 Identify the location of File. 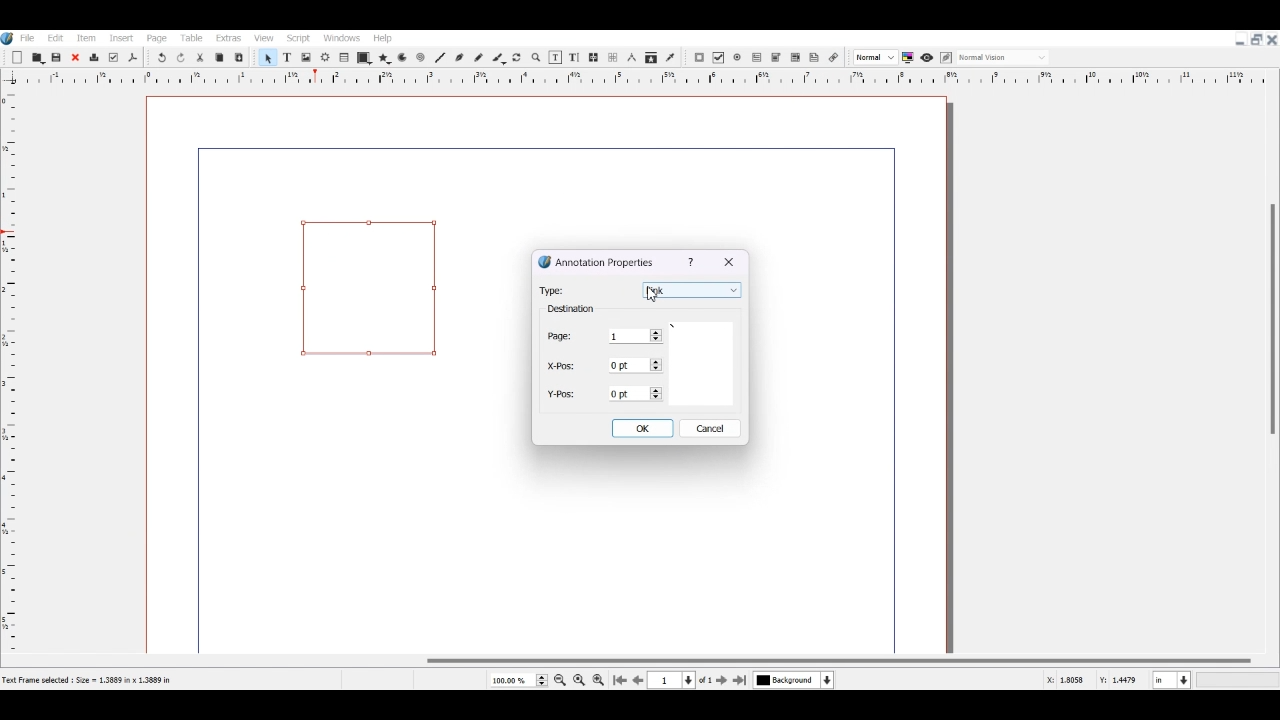
(29, 37).